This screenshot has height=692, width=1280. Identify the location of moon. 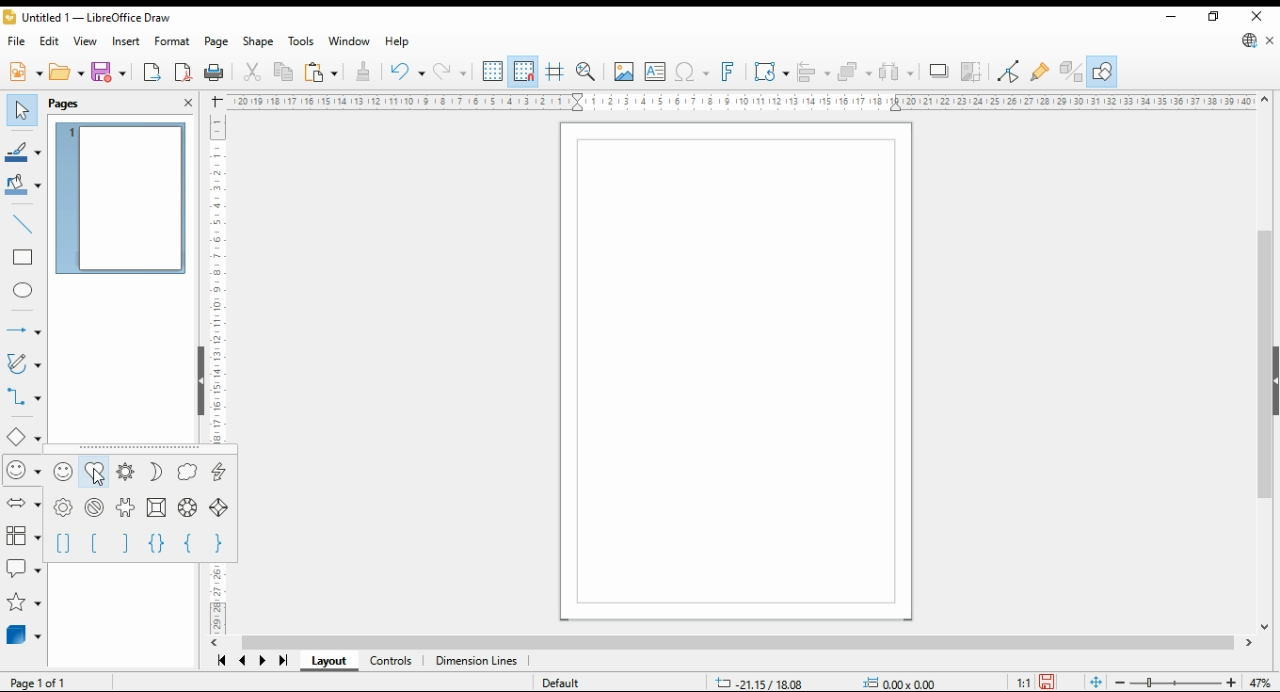
(158, 472).